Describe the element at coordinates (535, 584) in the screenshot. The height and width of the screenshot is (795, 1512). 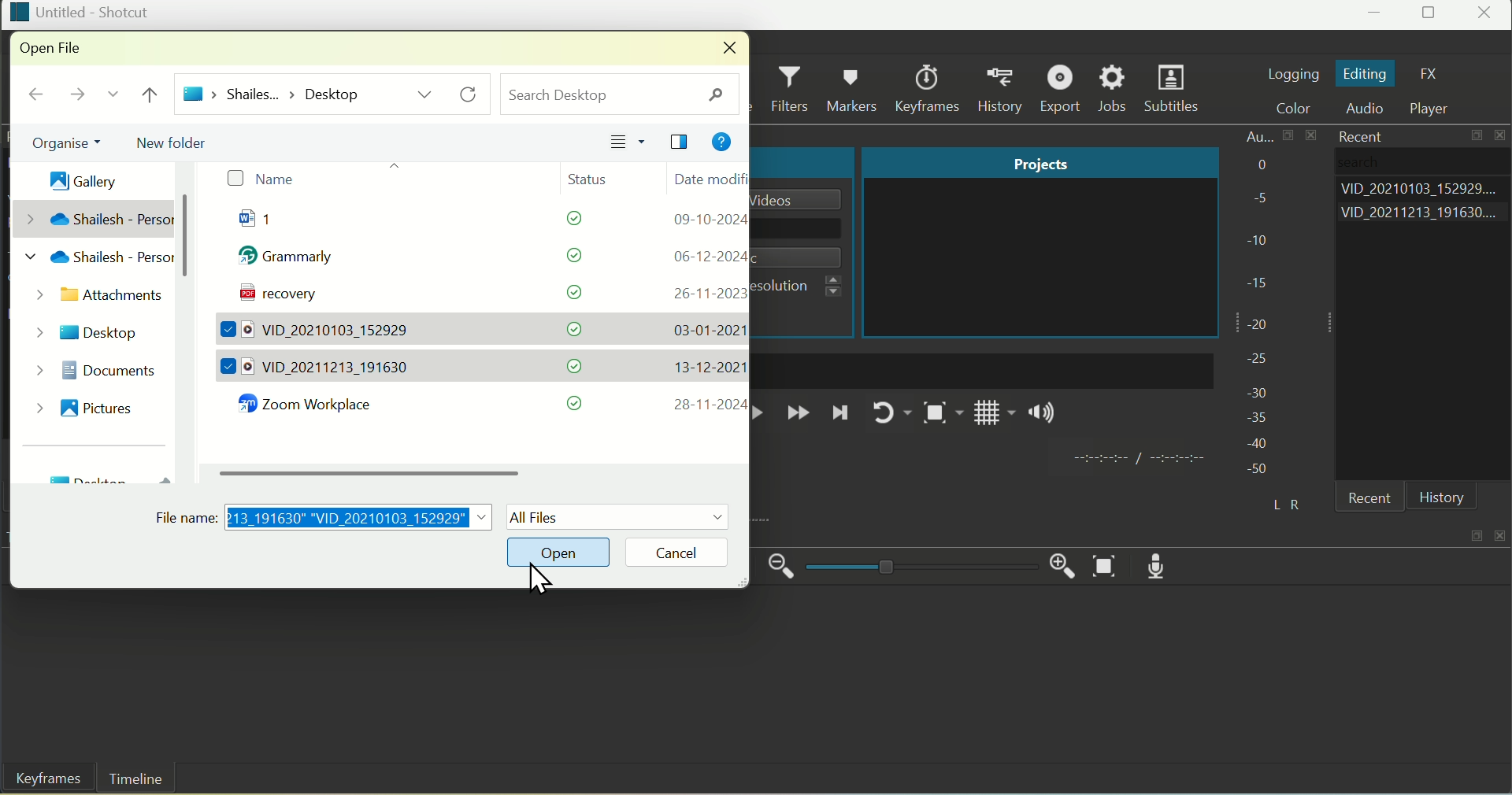
I see `Cursor` at that location.